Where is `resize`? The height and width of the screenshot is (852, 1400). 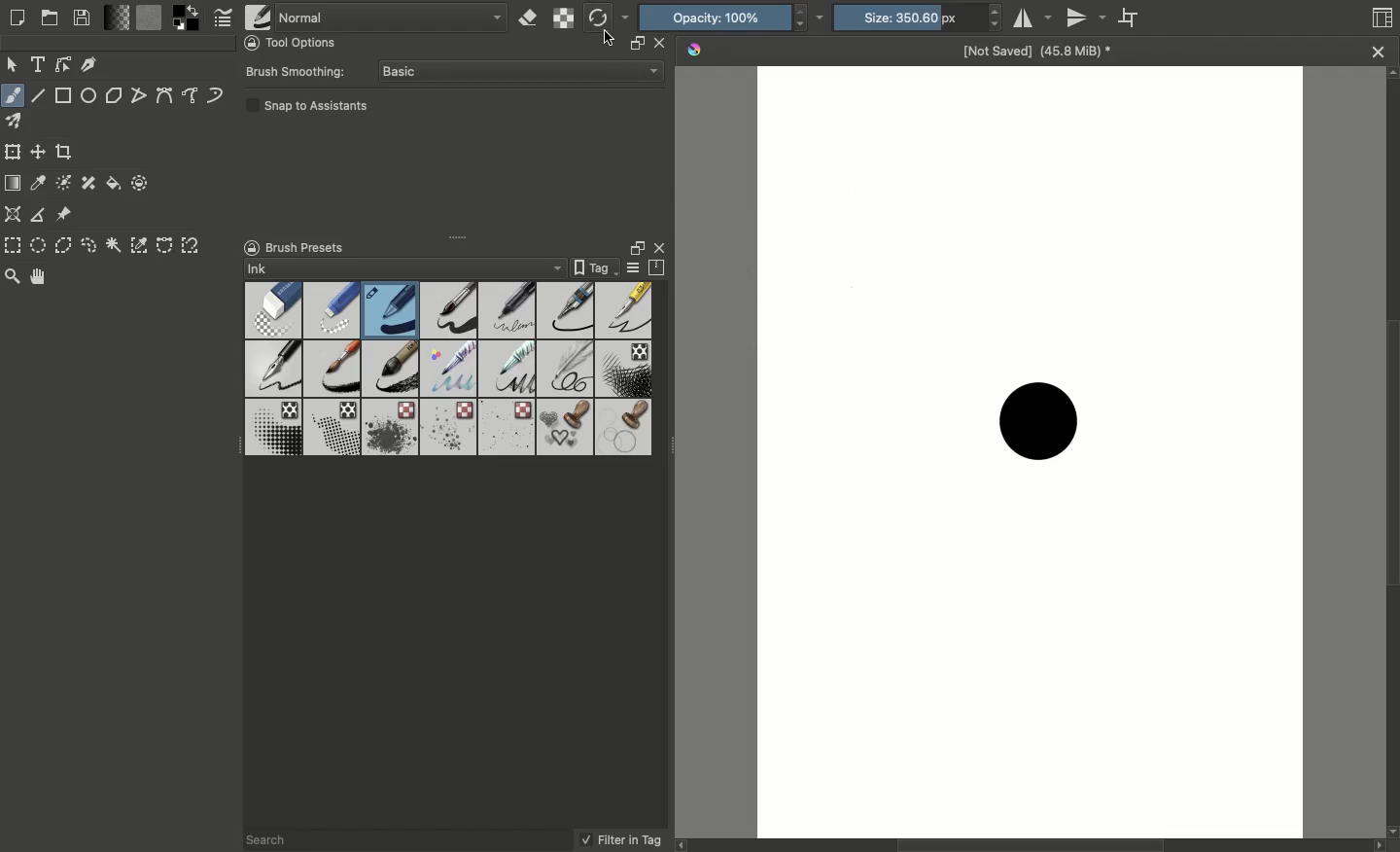 resize is located at coordinates (634, 44).